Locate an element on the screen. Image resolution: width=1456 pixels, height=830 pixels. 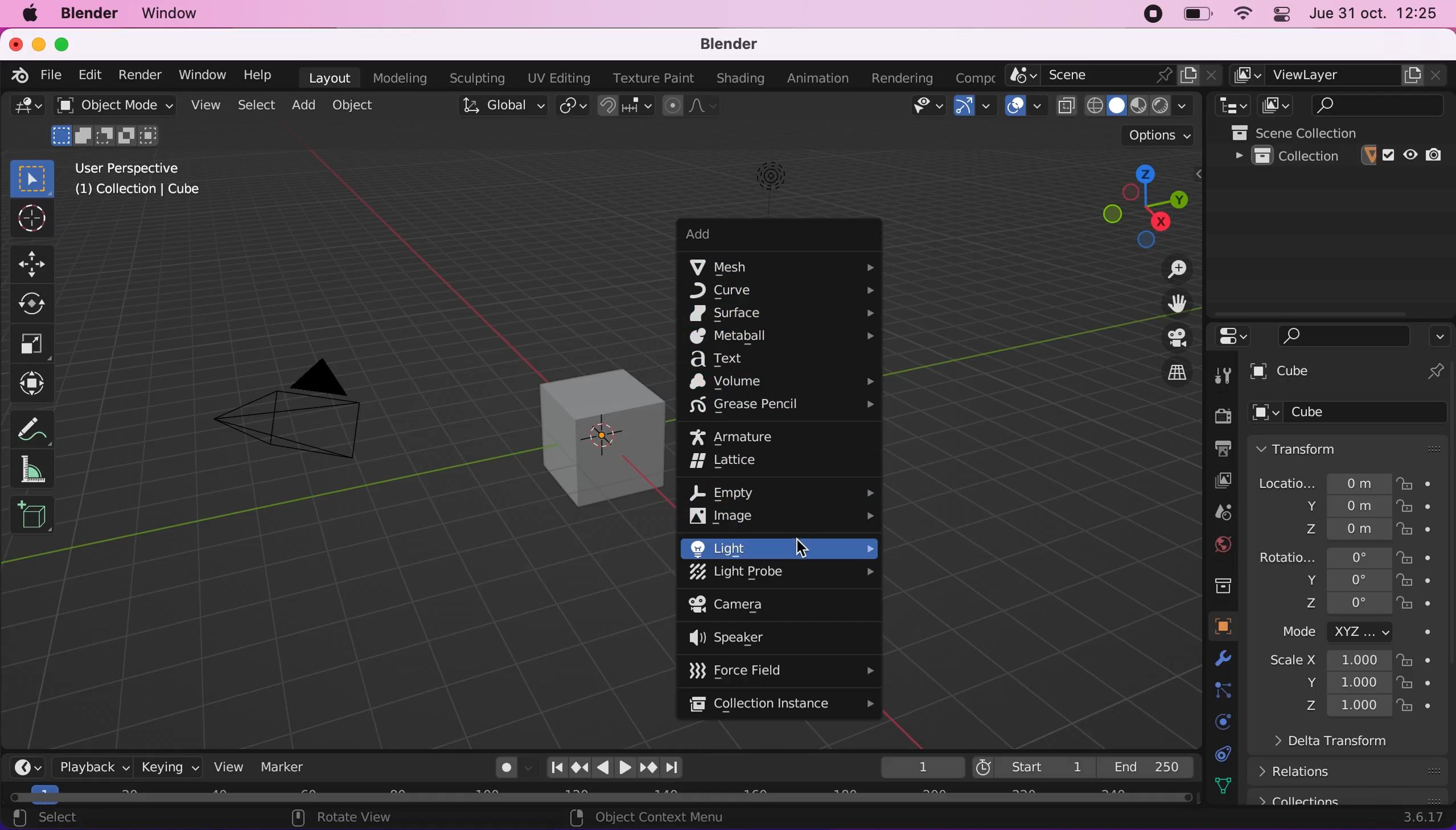
select box is located at coordinates (31, 176).